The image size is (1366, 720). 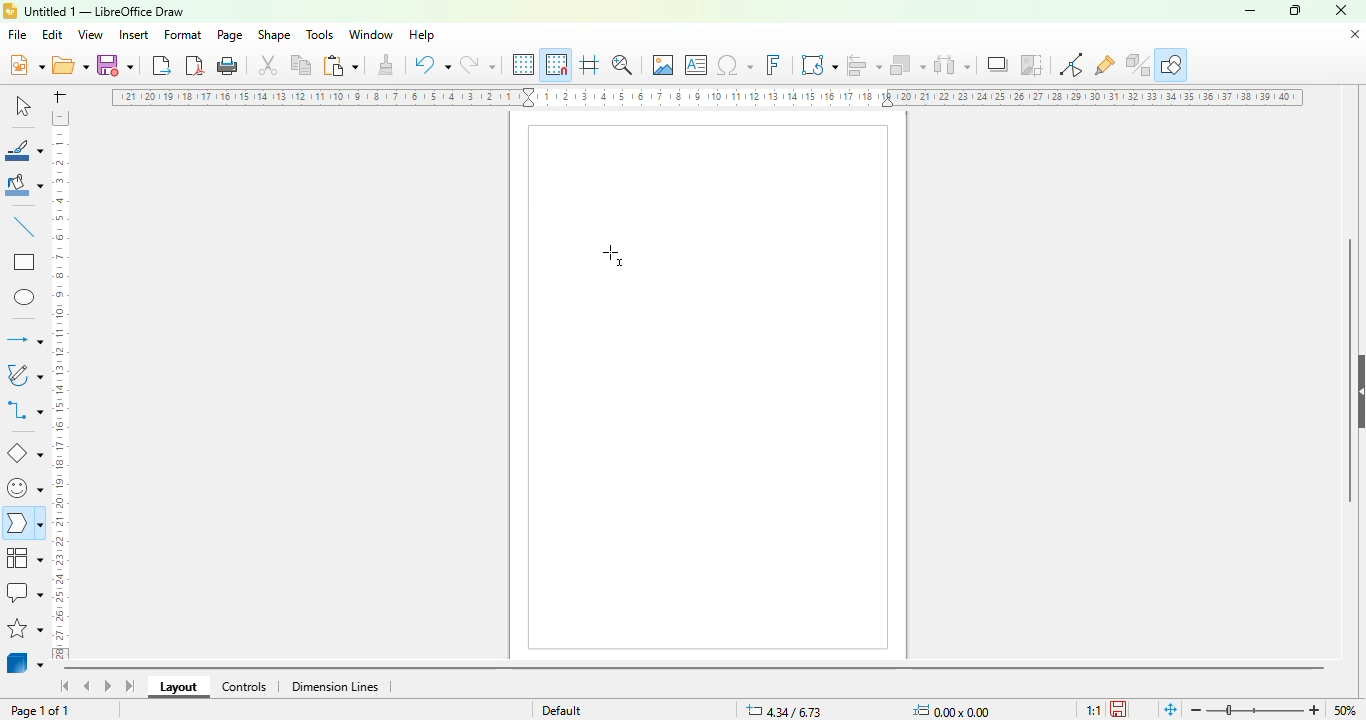 I want to click on show gluepoint functions, so click(x=1104, y=66).